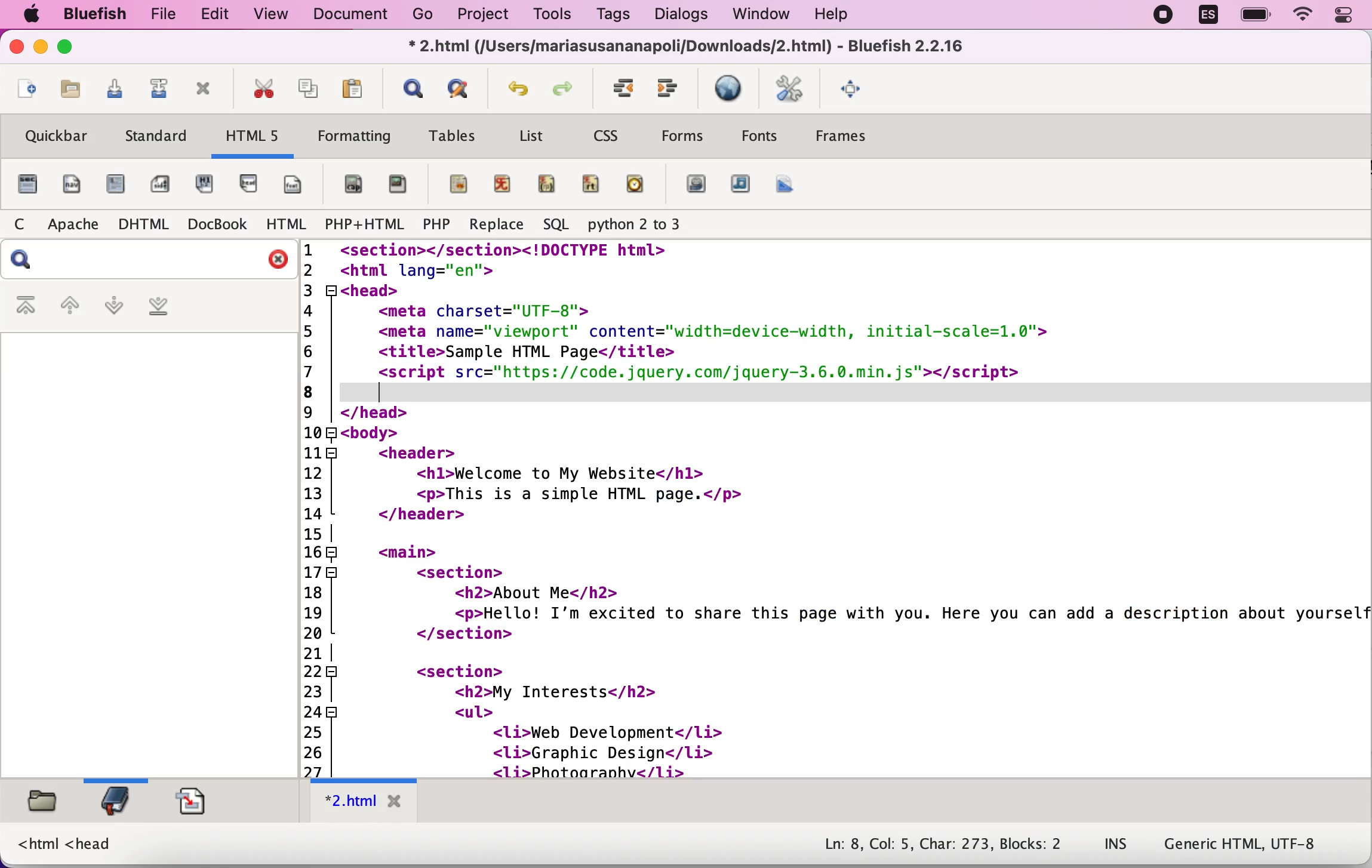  Describe the element at coordinates (1256, 16) in the screenshot. I see `battery` at that location.